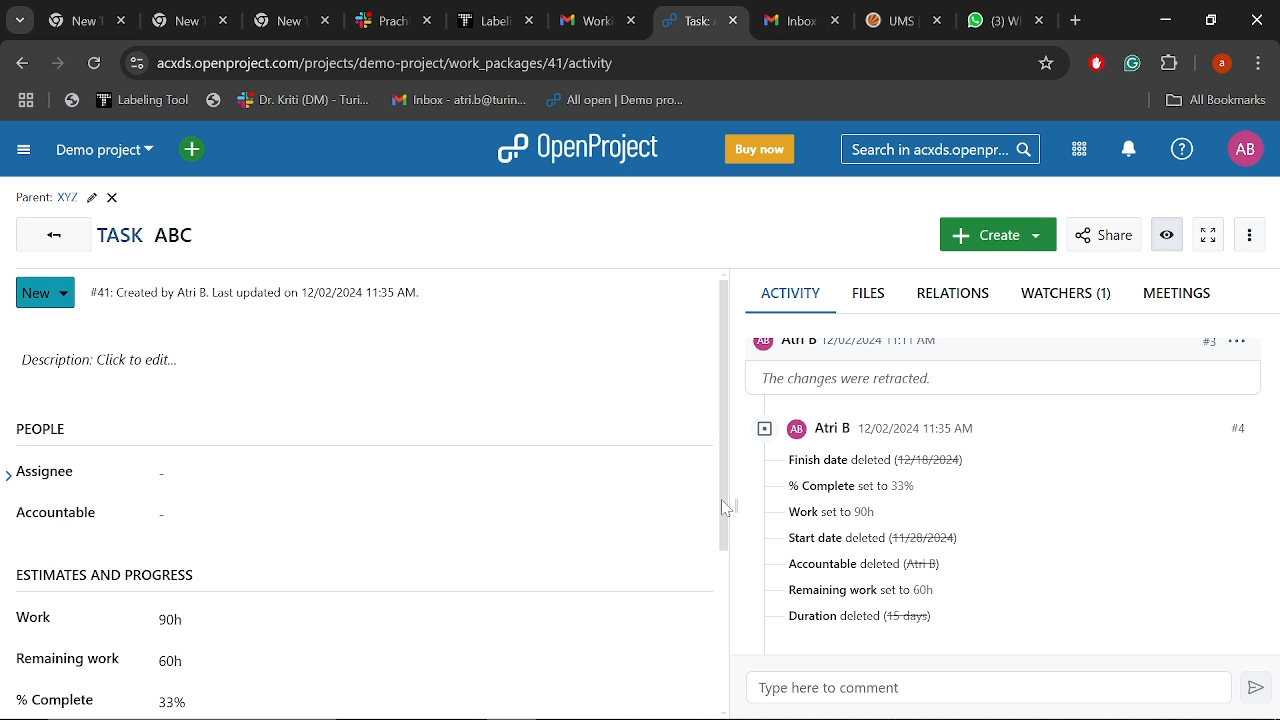 The height and width of the screenshot is (720, 1280). Describe the element at coordinates (421, 661) in the screenshot. I see `Remaining work` at that location.